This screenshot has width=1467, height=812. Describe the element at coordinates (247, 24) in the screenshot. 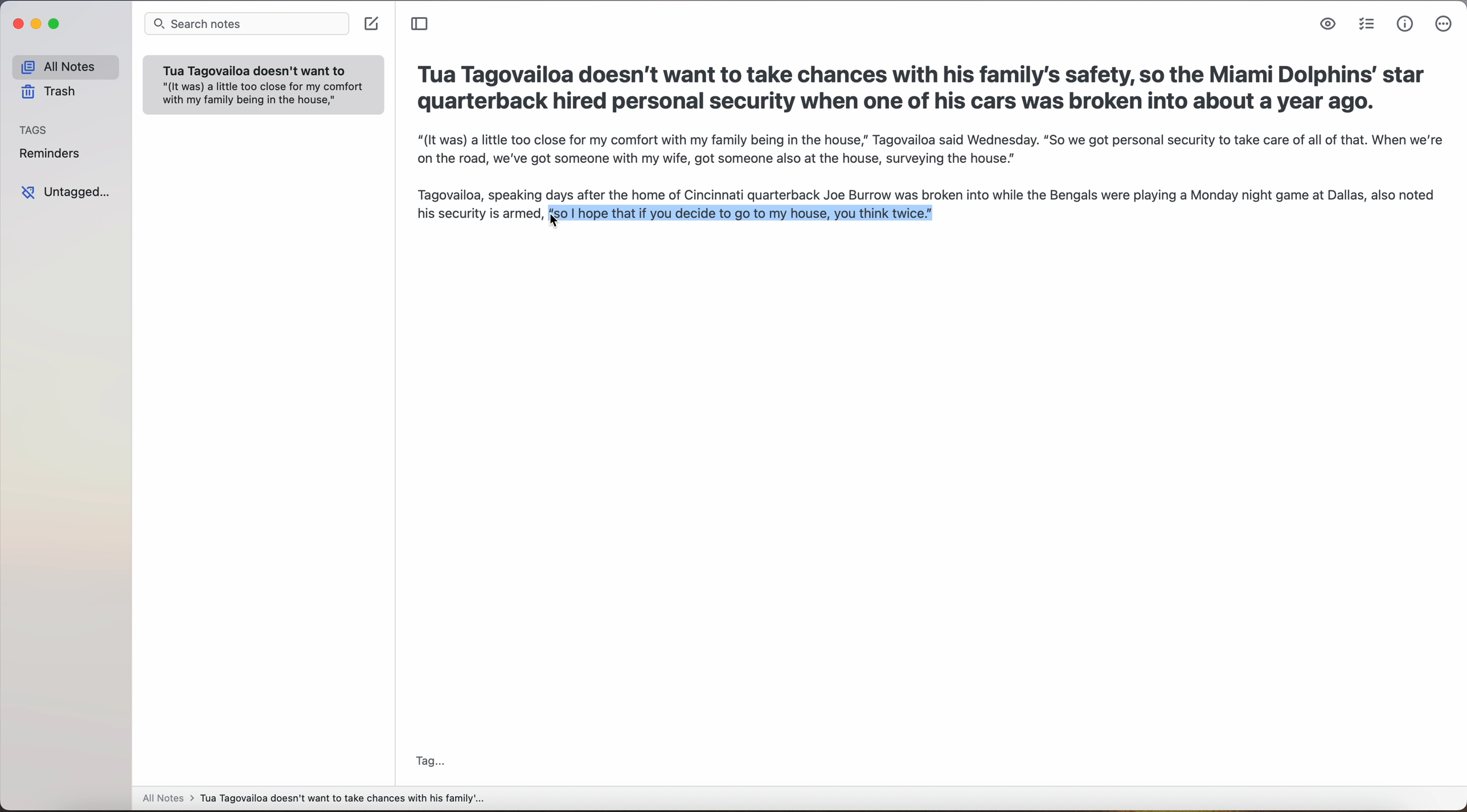

I see `search notes` at that location.